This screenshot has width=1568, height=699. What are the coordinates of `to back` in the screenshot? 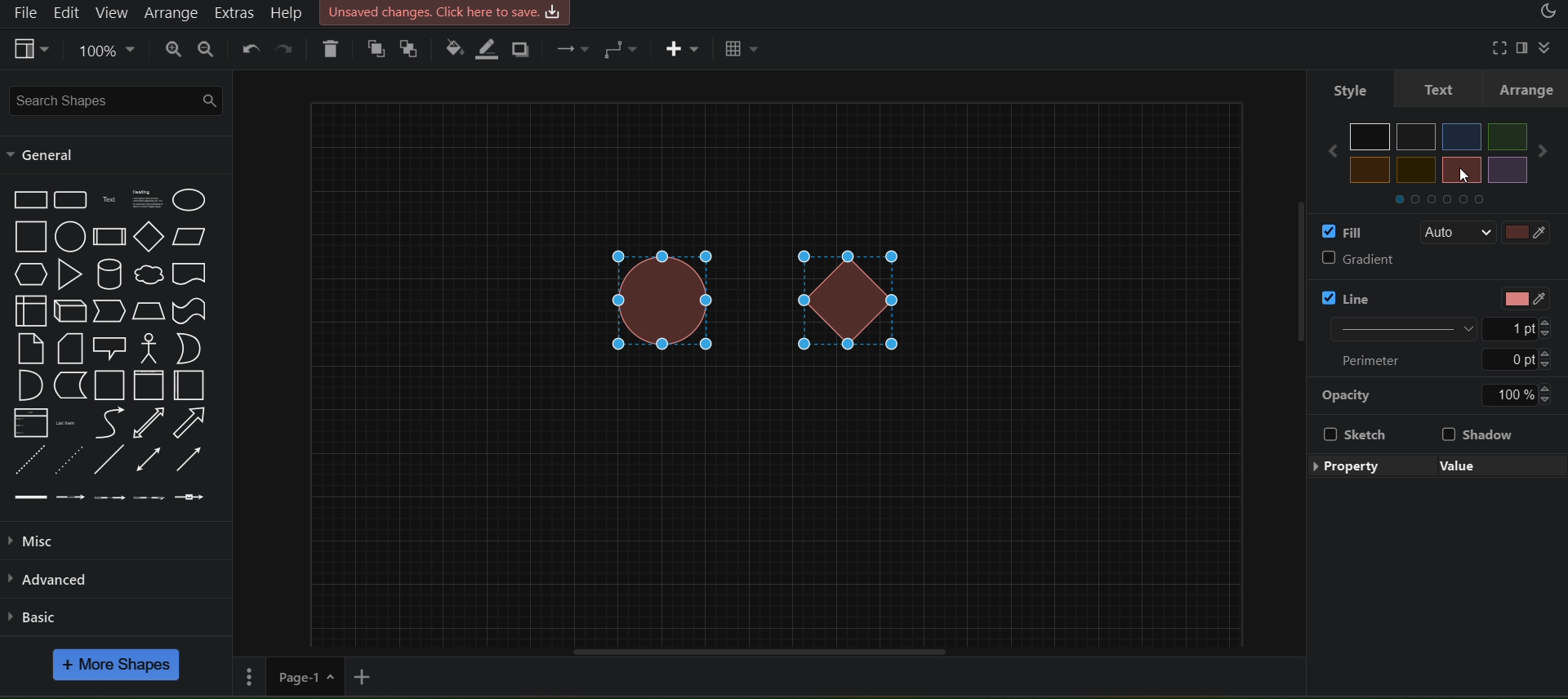 It's located at (413, 51).